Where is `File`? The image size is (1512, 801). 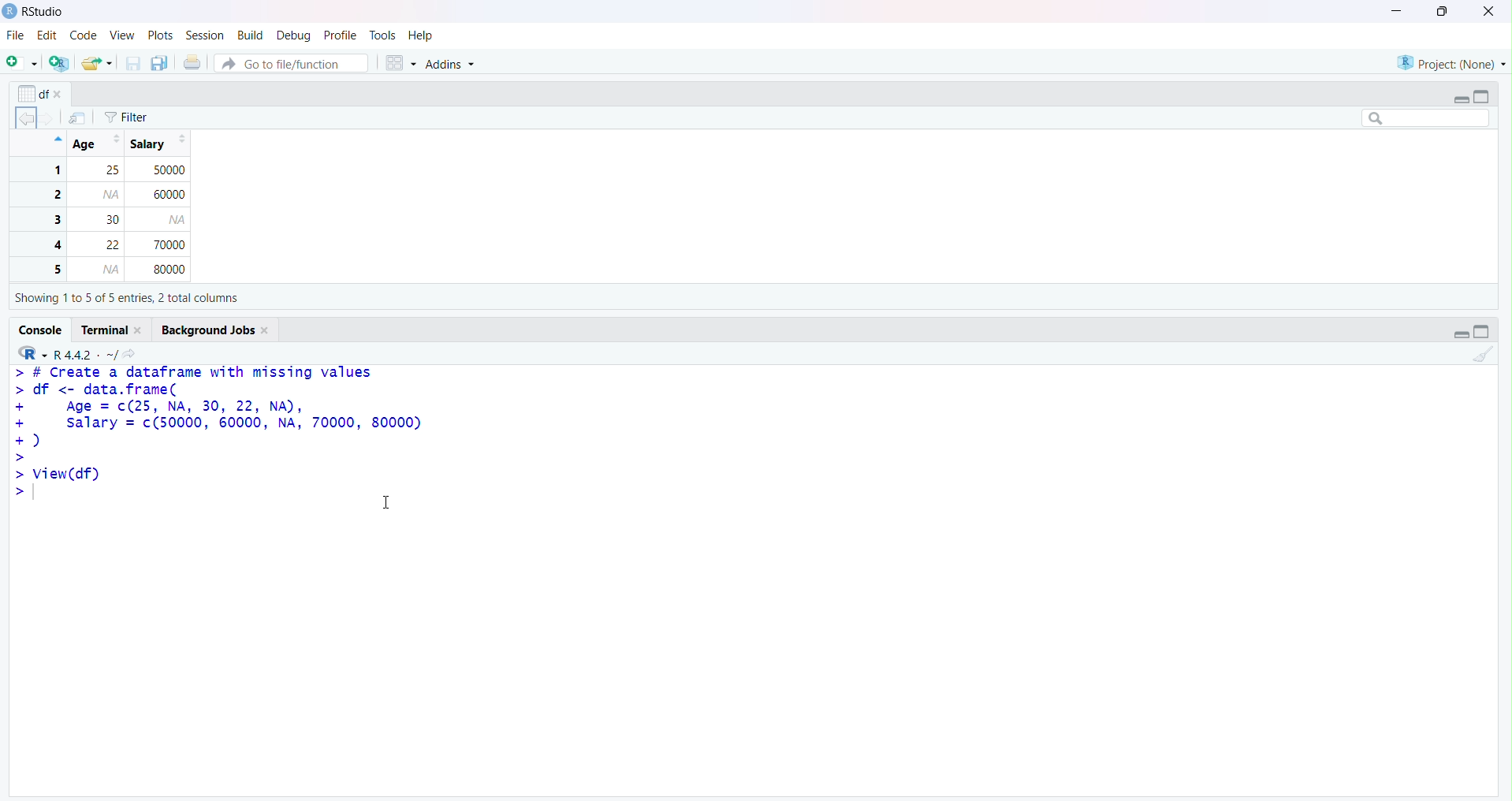
File is located at coordinates (14, 35).